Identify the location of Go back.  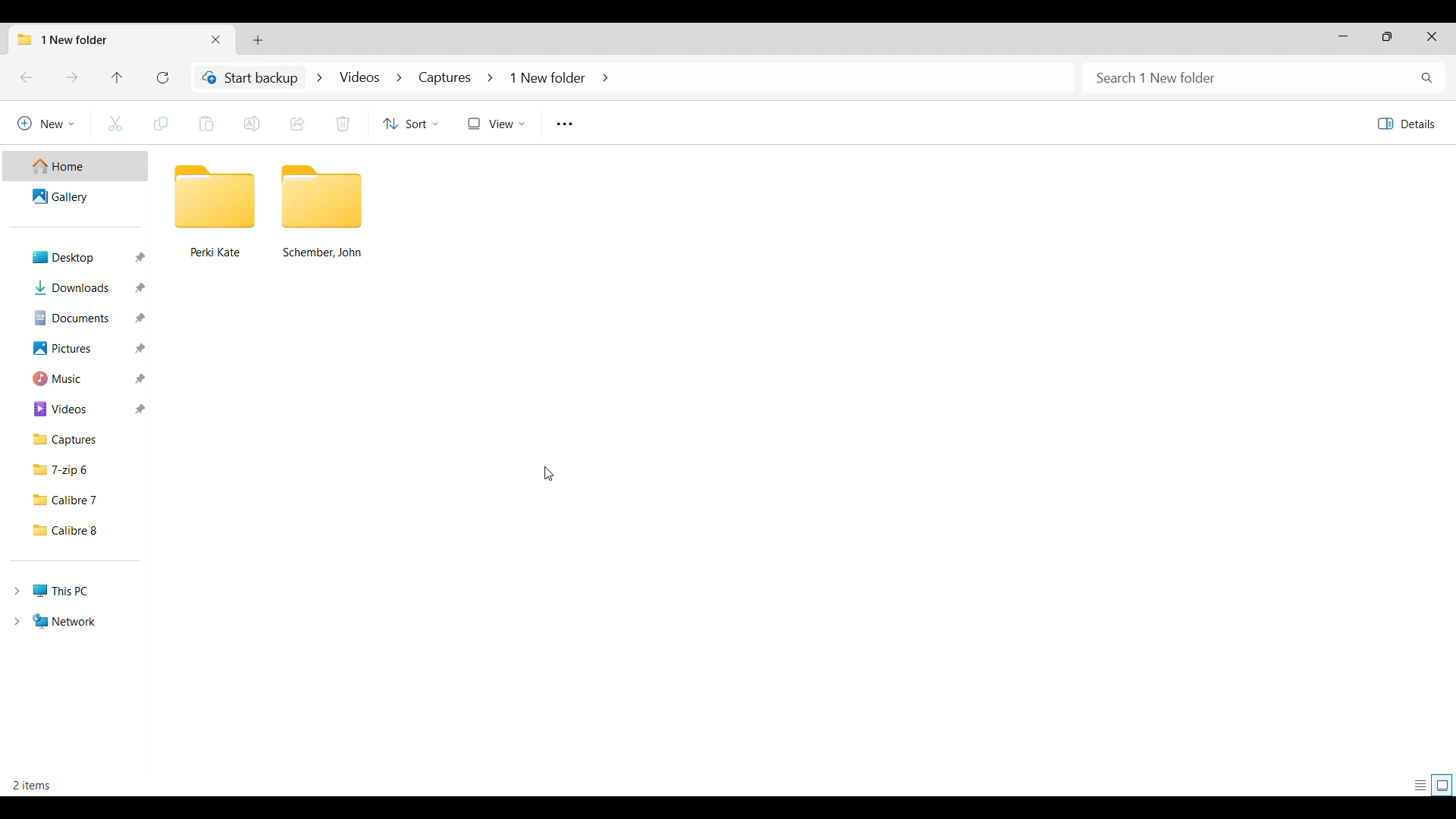
(26, 77).